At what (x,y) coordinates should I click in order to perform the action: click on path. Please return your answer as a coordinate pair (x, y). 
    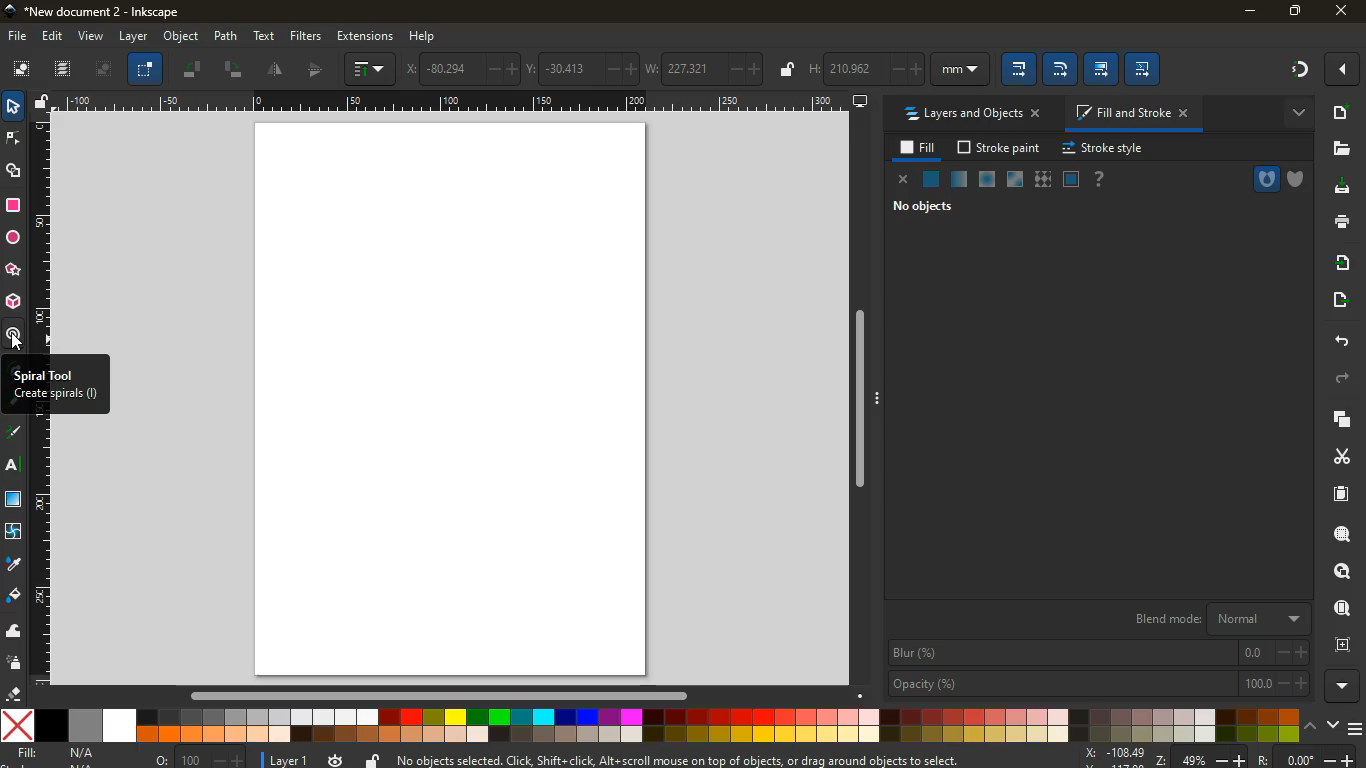
    Looking at the image, I should click on (226, 36).